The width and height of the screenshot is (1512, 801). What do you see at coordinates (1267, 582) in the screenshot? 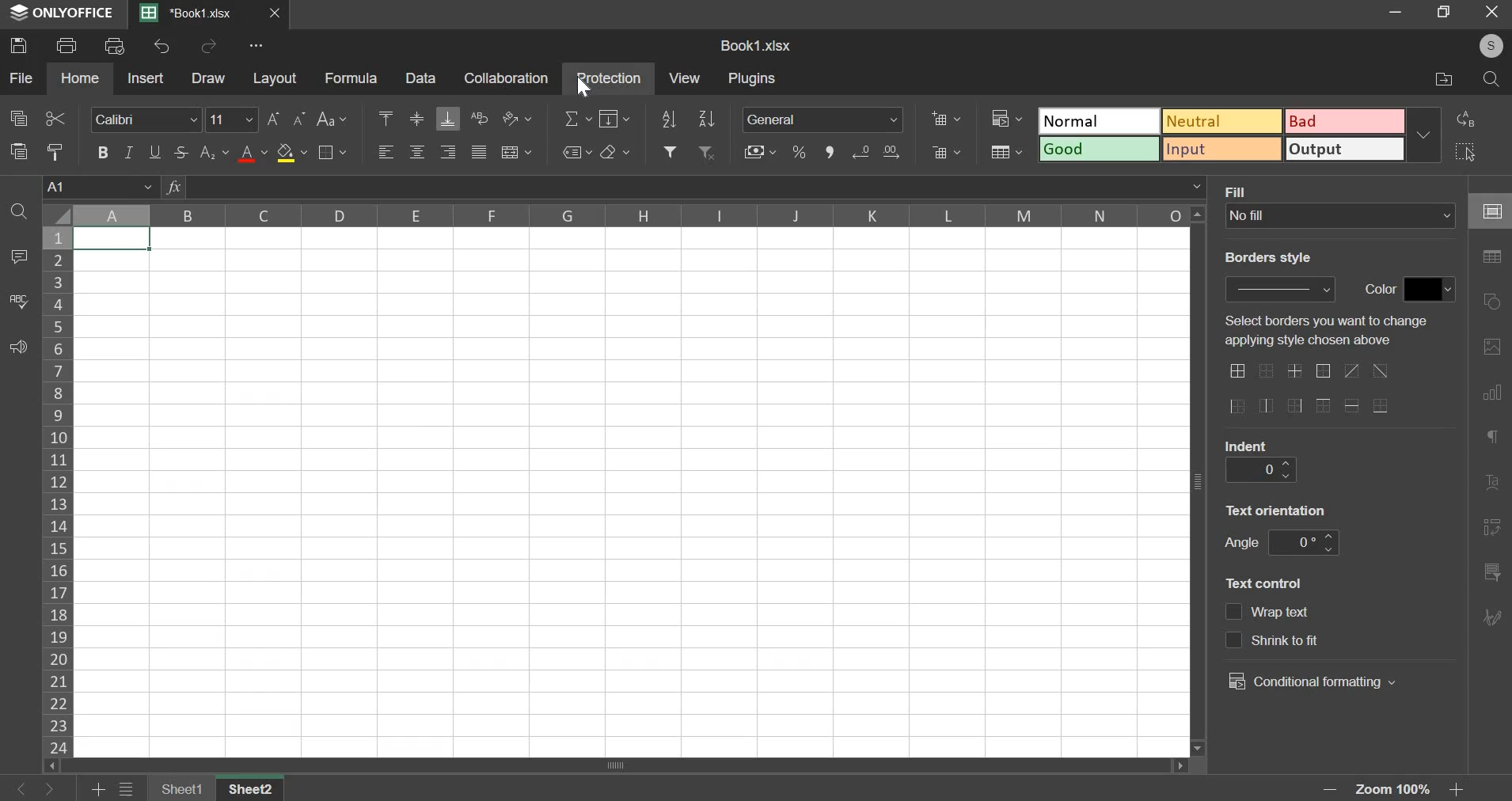
I see `text control` at bounding box center [1267, 582].